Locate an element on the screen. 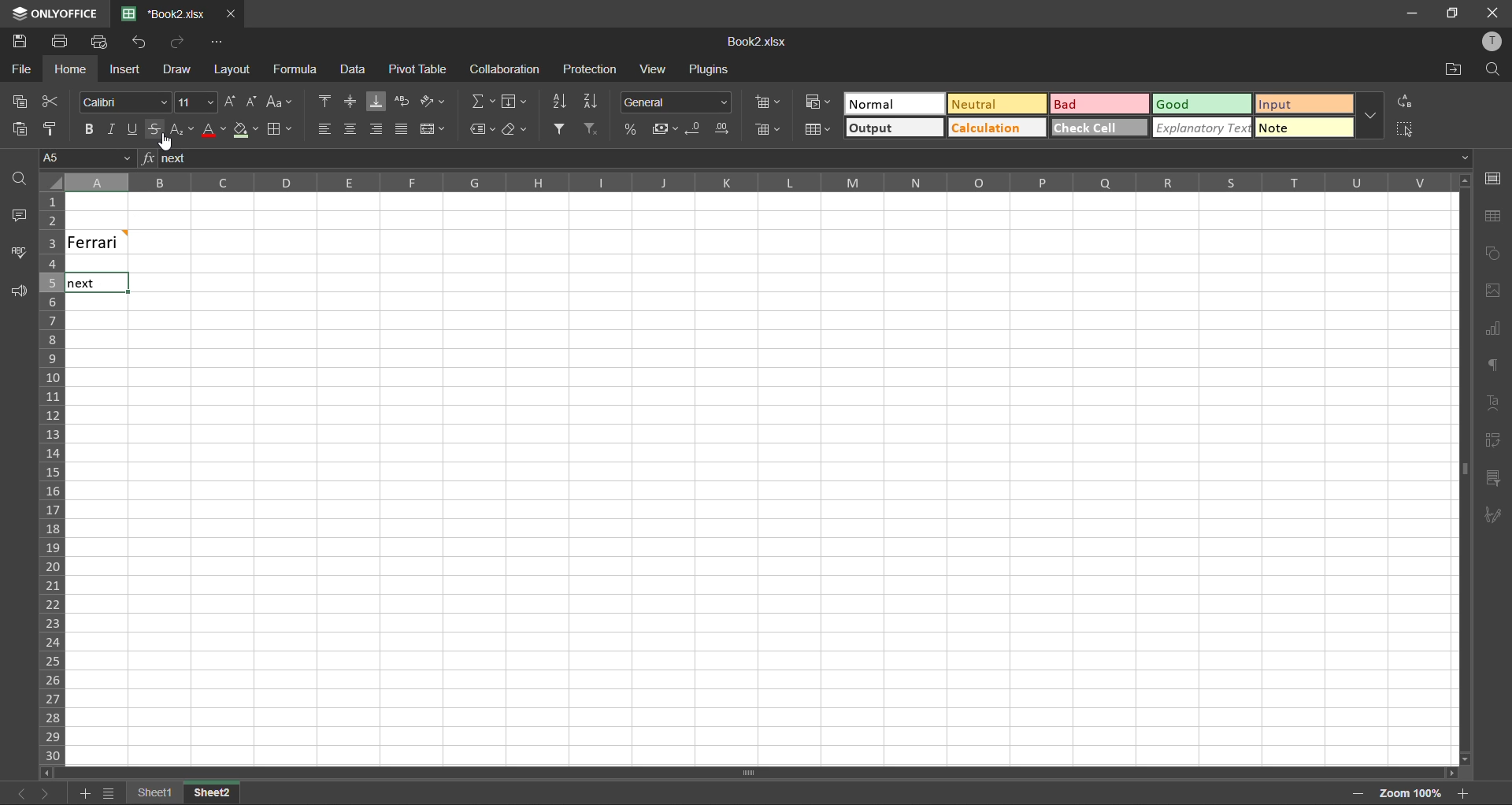 The width and height of the screenshot is (1512, 805). maximize is located at coordinates (1452, 13).